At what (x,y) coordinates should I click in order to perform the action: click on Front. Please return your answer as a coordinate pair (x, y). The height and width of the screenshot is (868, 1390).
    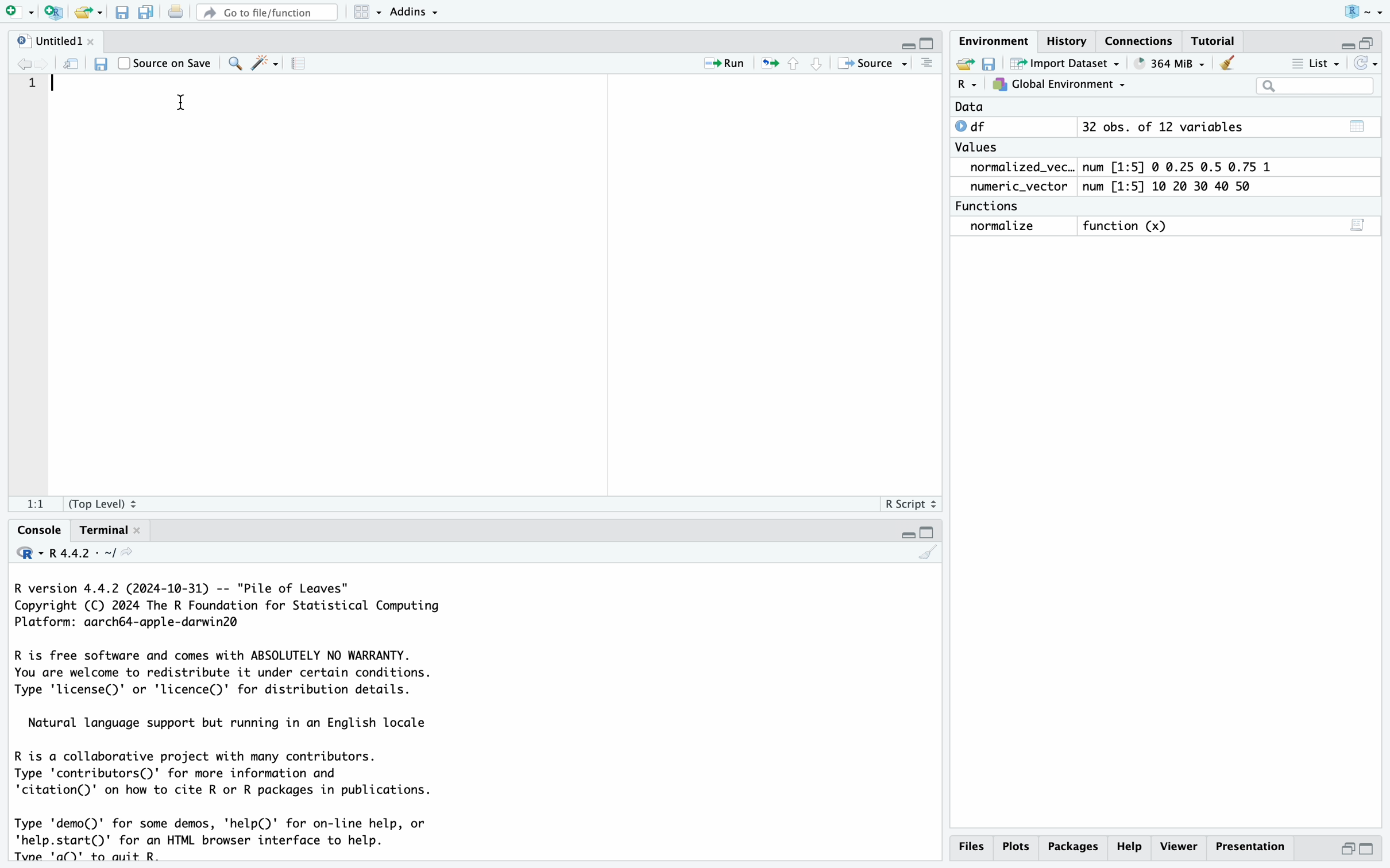
    Looking at the image, I should click on (47, 63).